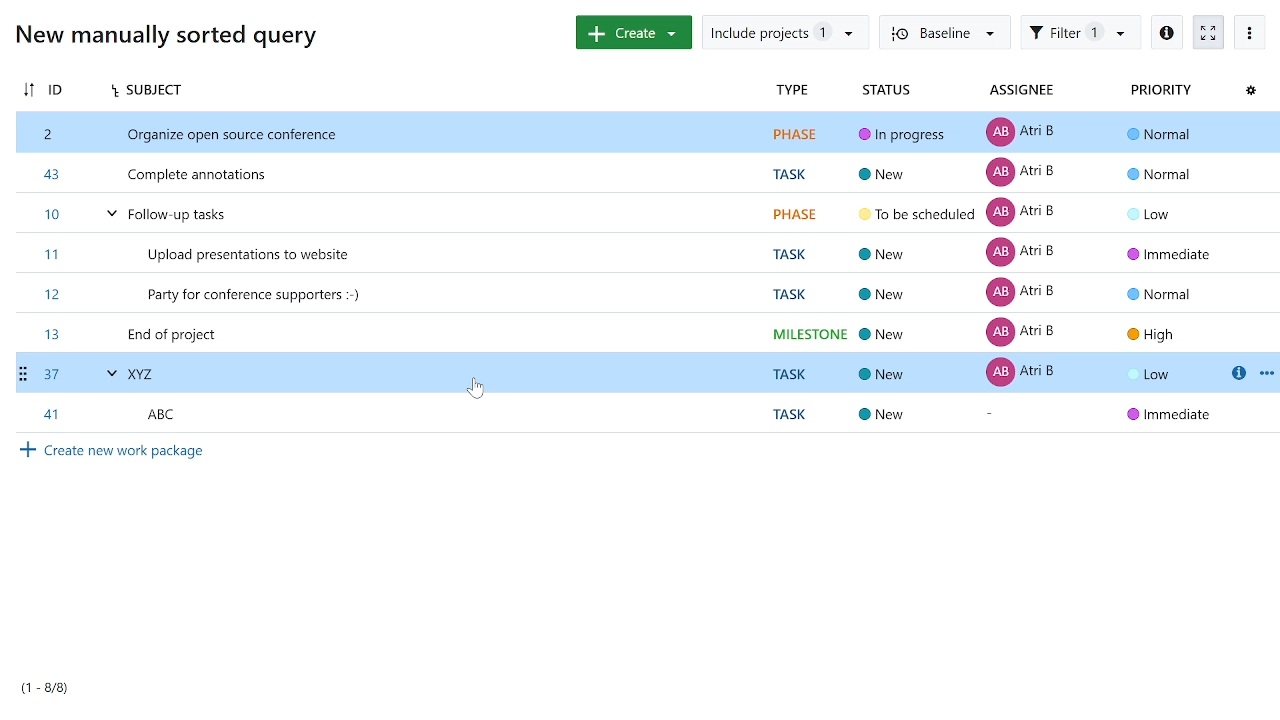 The height and width of the screenshot is (720, 1280). What do you see at coordinates (942, 33) in the screenshot?
I see `baseline` at bounding box center [942, 33].